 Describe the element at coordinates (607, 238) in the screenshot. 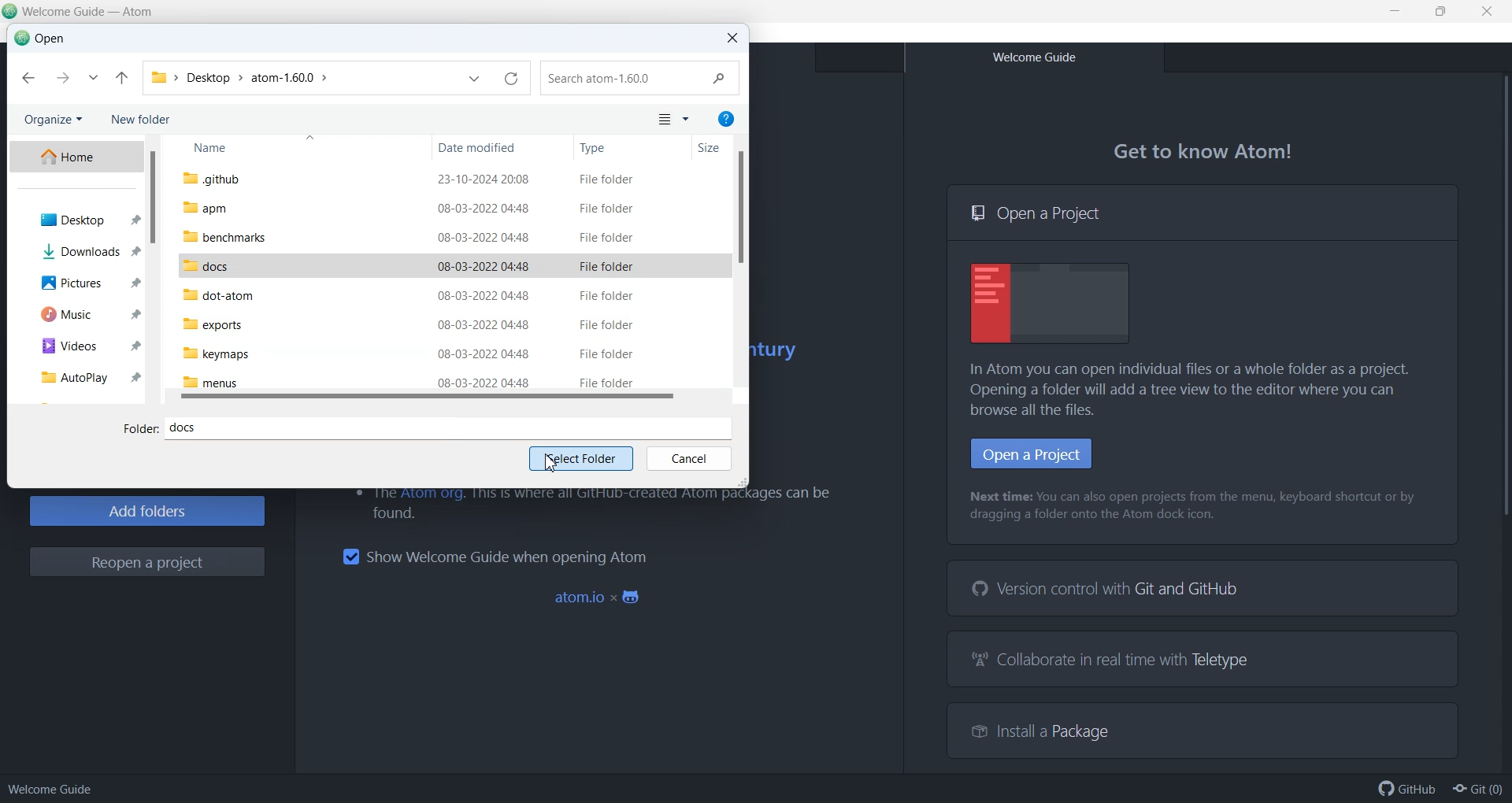

I see `File Folder` at that location.